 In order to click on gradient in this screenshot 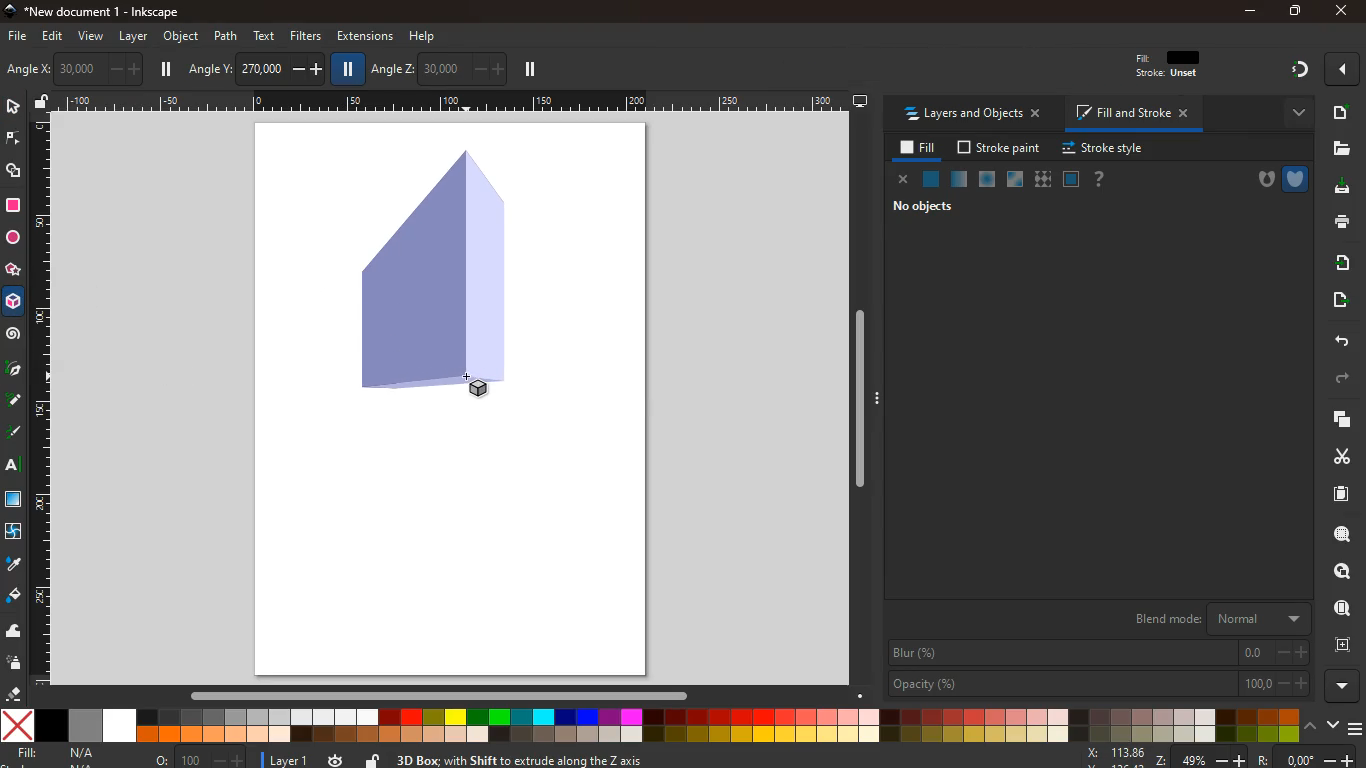, I will do `click(1301, 70)`.